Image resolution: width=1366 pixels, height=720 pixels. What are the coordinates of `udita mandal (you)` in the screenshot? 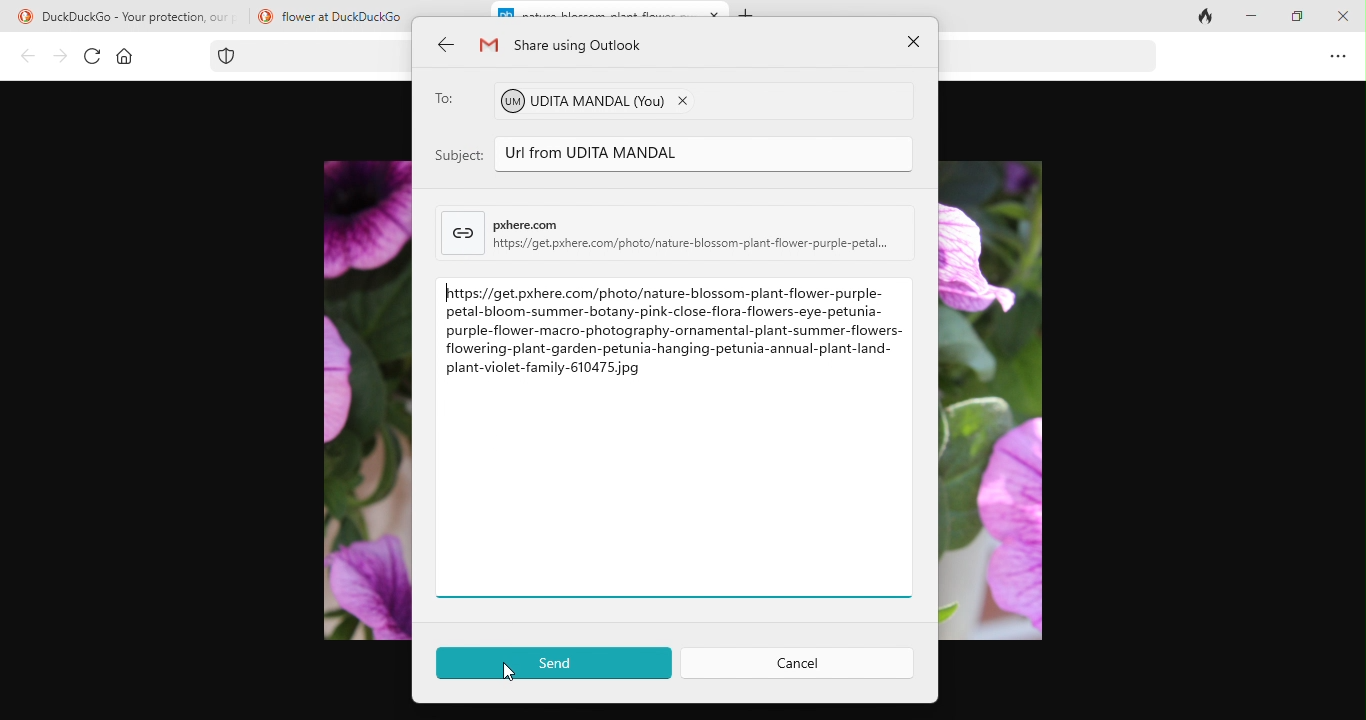 It's located at (701, 103).